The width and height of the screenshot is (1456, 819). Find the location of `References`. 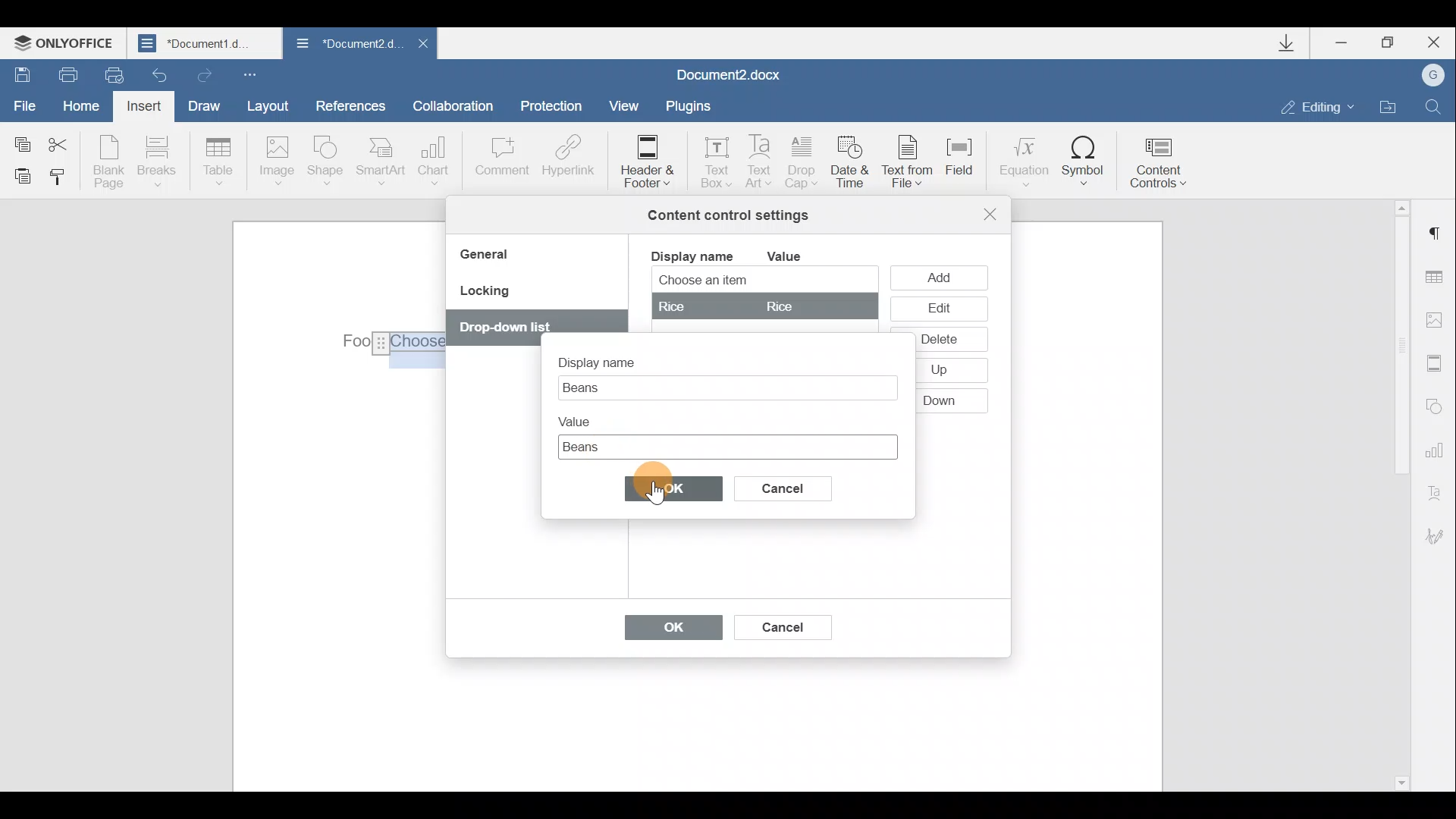

References is located at coordinates (350, 104).